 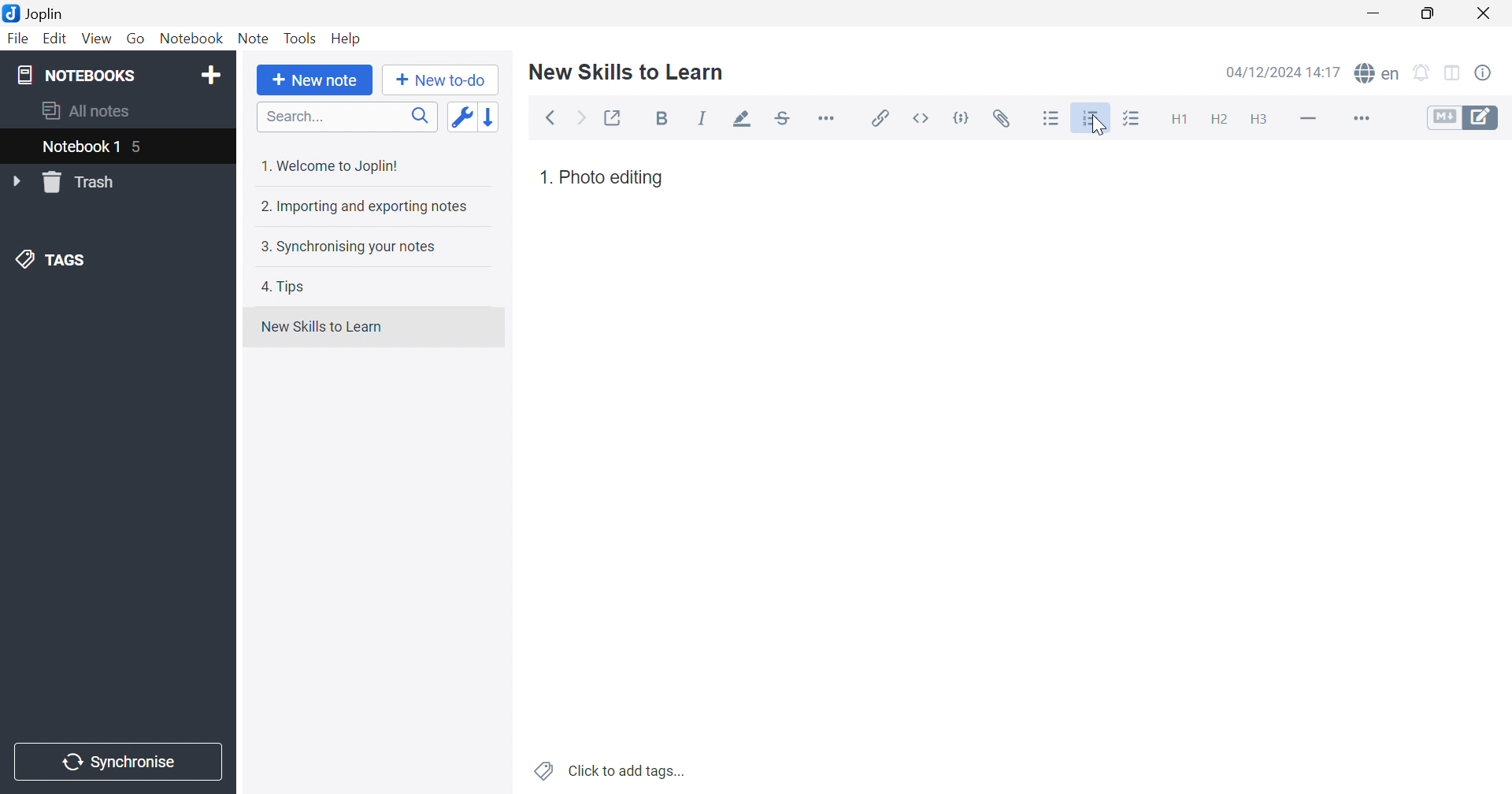 What do you see at coordinates (87, 109) in the screenshot?
I see `All notes` at bounding box center [87, 109].